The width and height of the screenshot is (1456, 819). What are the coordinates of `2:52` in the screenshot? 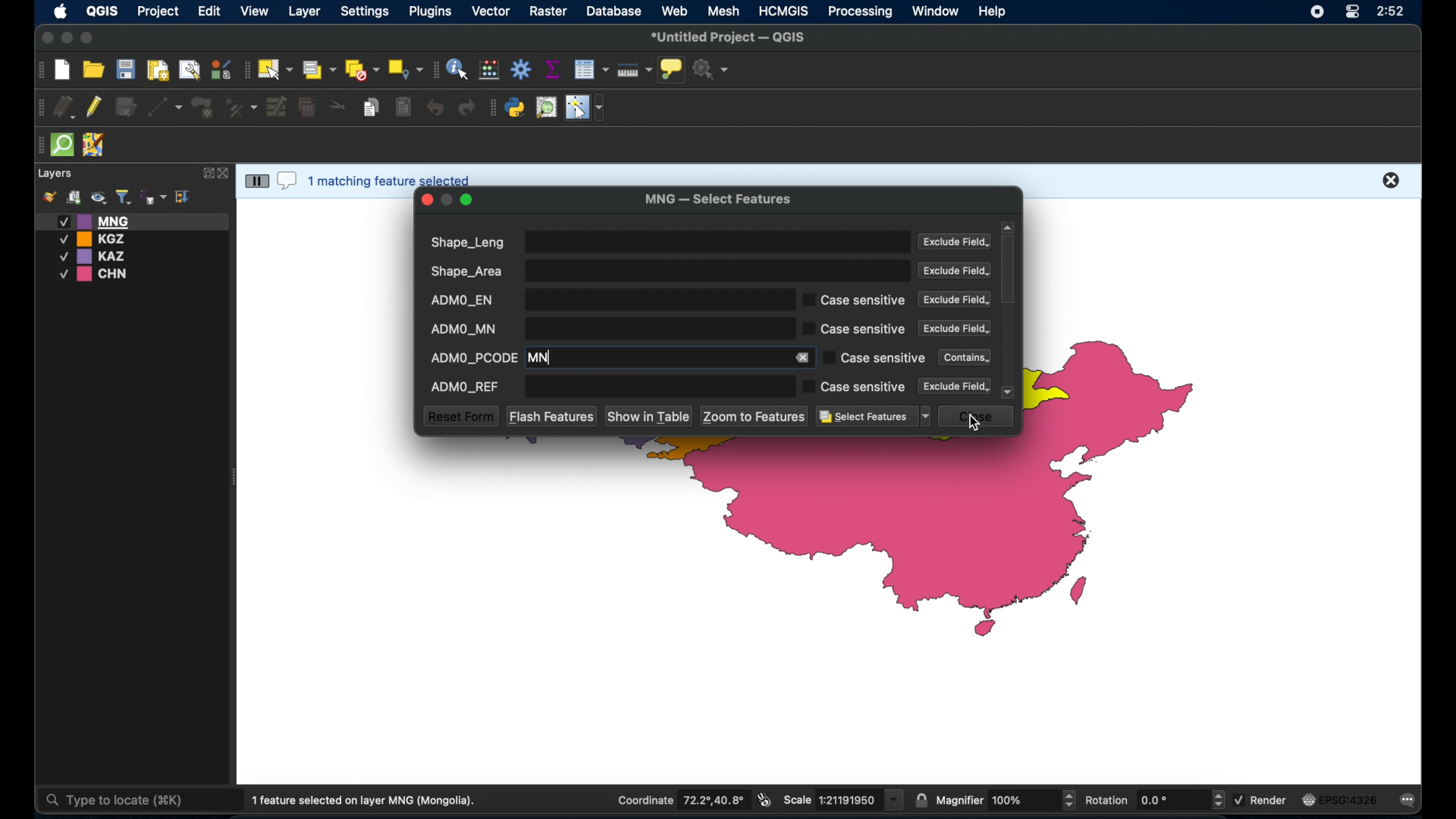 It's located at (1389, 12).